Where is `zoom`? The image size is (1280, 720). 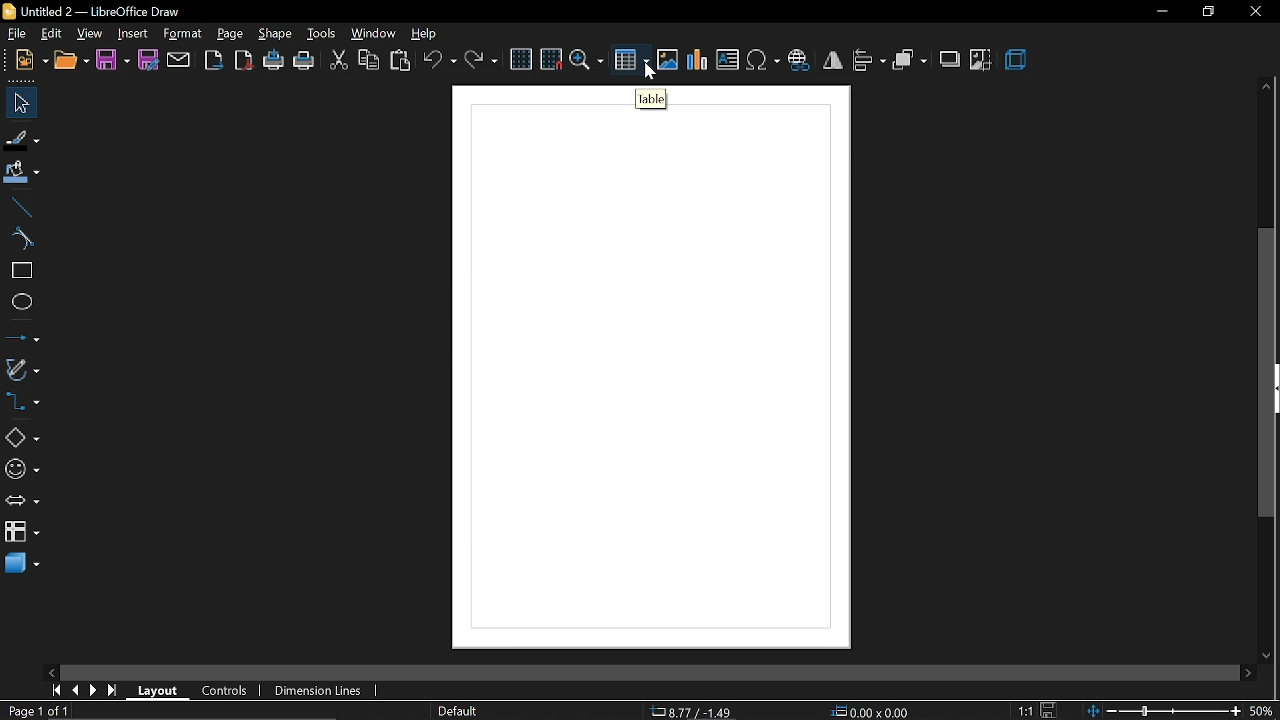
zoom is located at coordinates (587, 60).